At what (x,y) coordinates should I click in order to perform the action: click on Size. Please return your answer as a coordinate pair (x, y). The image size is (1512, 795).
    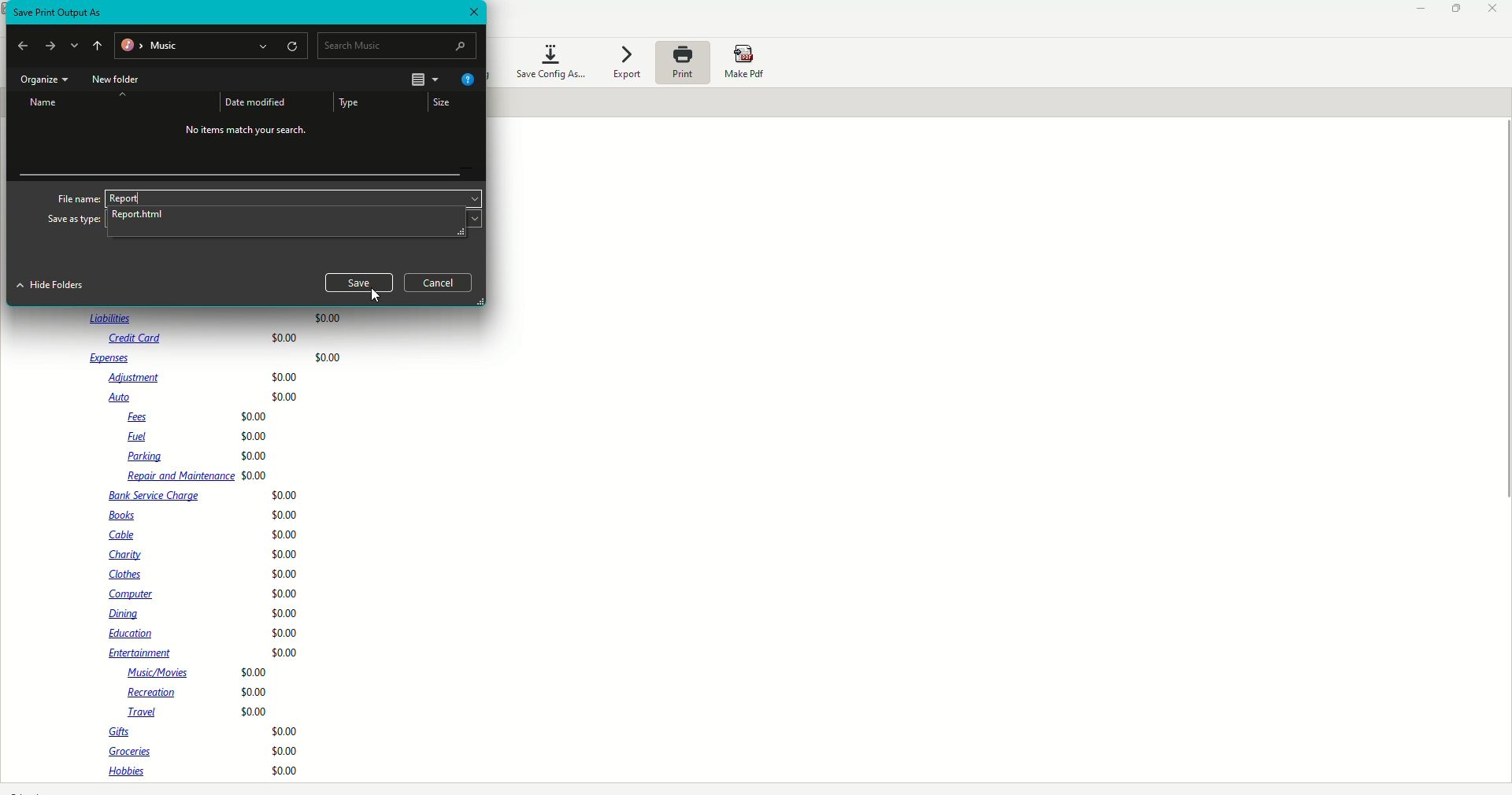
    Looking at the image, I should click on (440, 102).